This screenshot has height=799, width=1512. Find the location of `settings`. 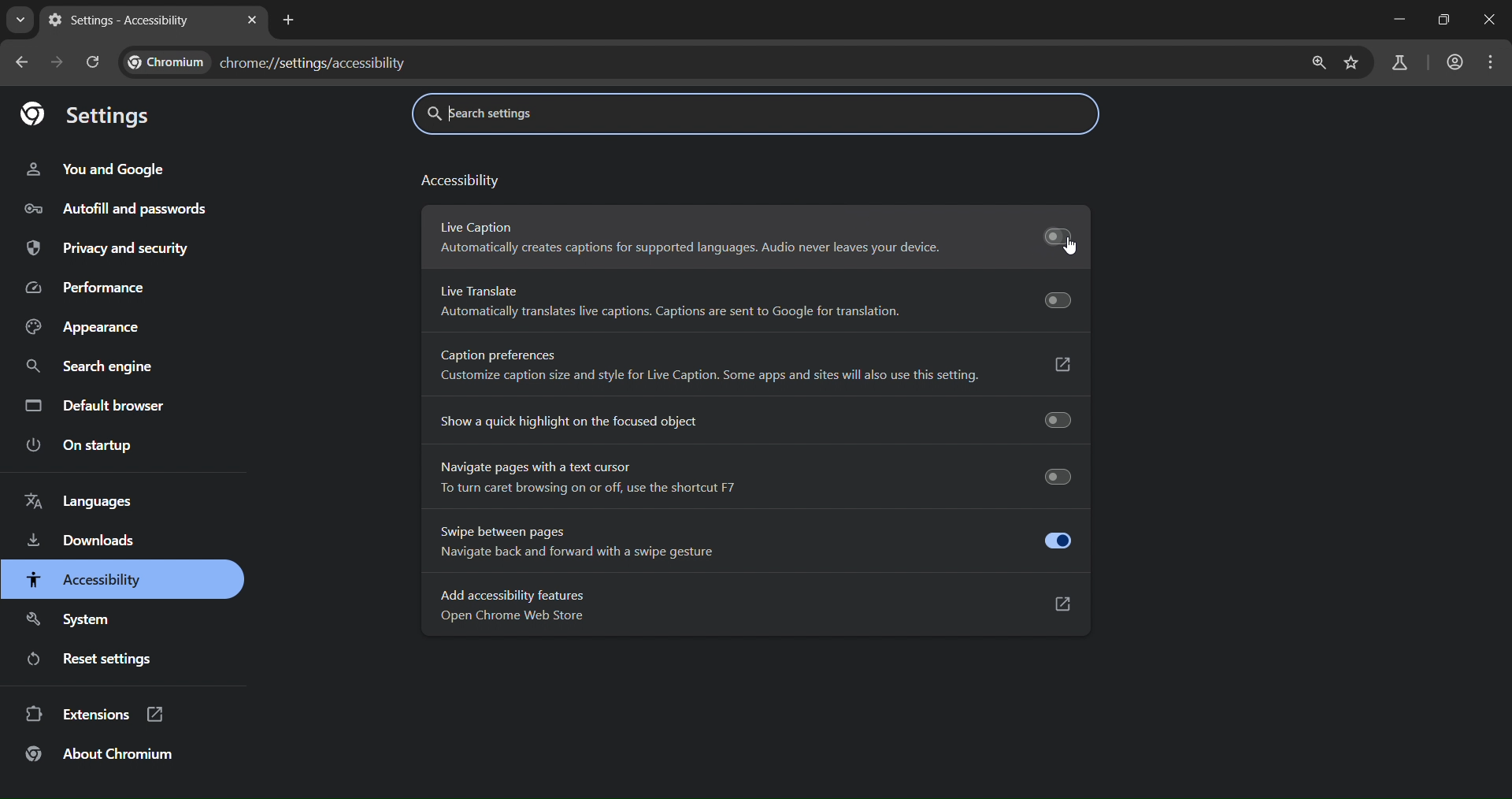

settings is located at coordinates (87, 115).